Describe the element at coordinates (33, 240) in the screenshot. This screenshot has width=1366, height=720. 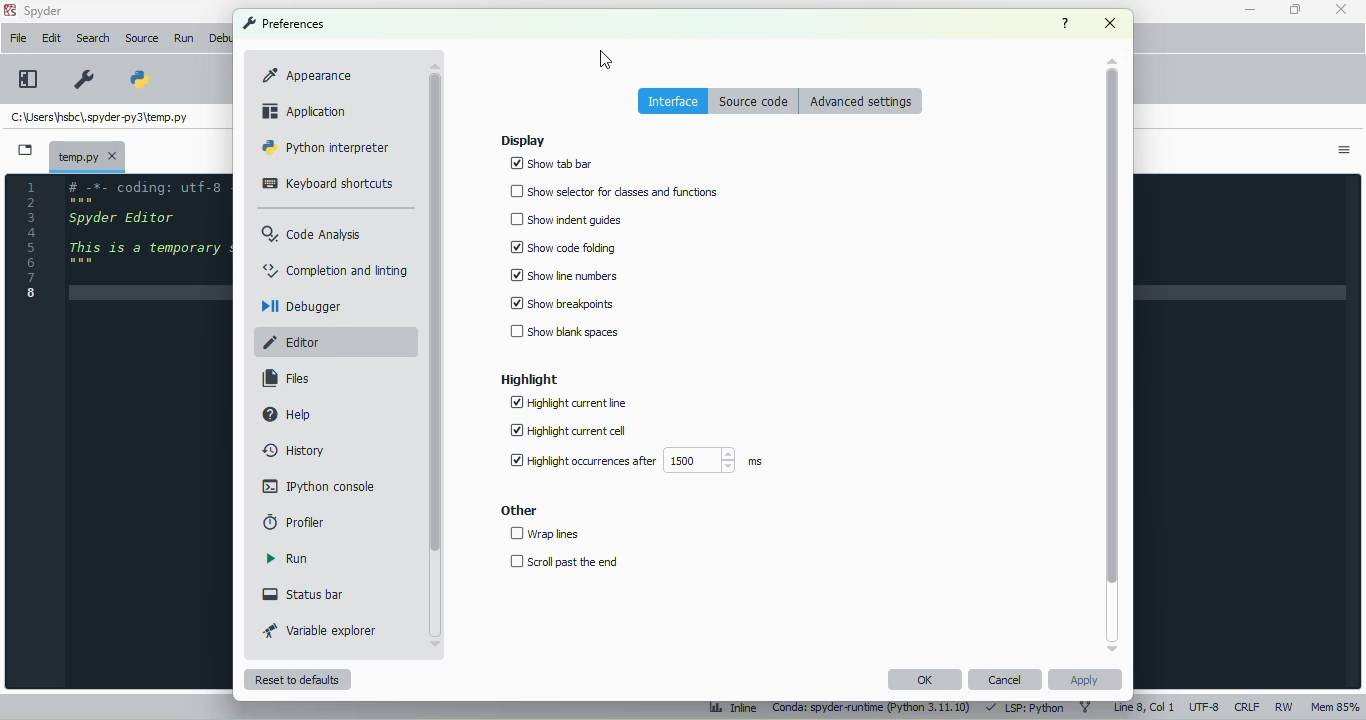
I see `line numbers` at that location.